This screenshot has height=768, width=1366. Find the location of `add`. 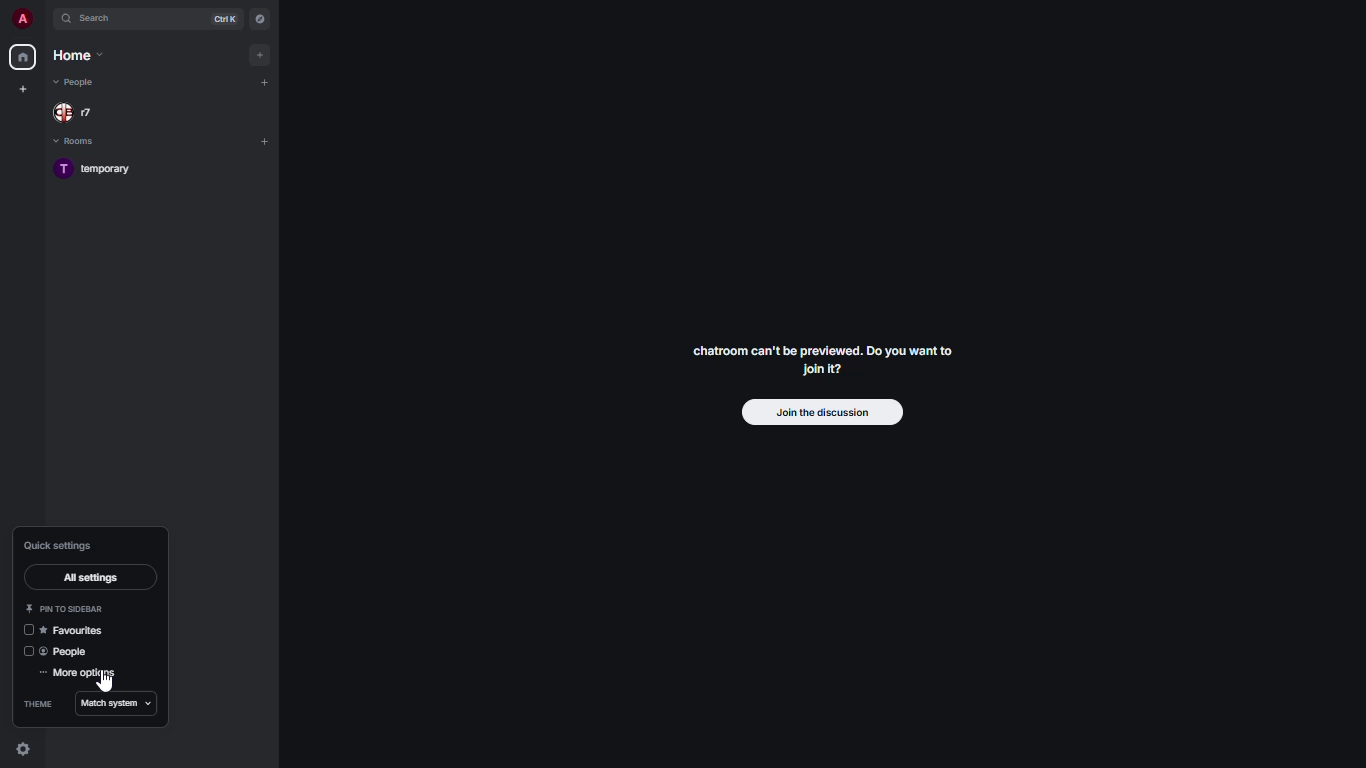

add is located at coordinates (264, 140).